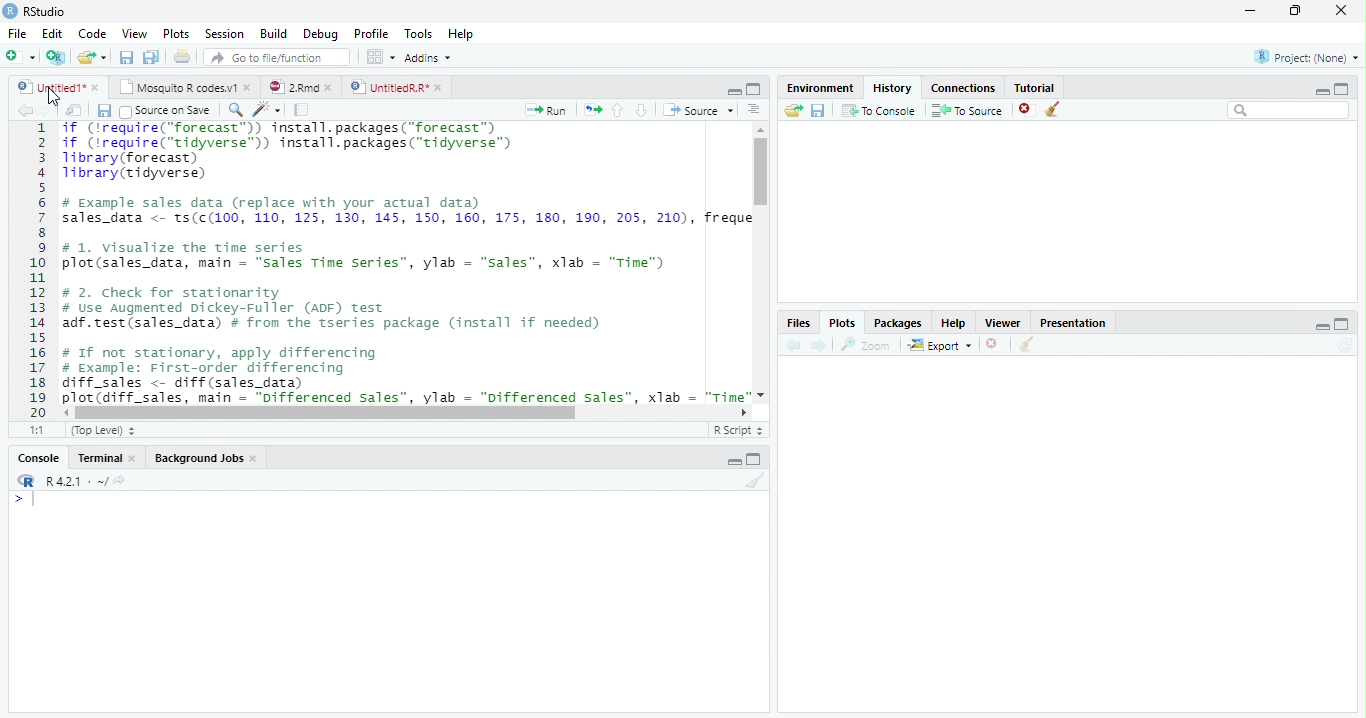  I want to click on Clean, so click(1056, 109).